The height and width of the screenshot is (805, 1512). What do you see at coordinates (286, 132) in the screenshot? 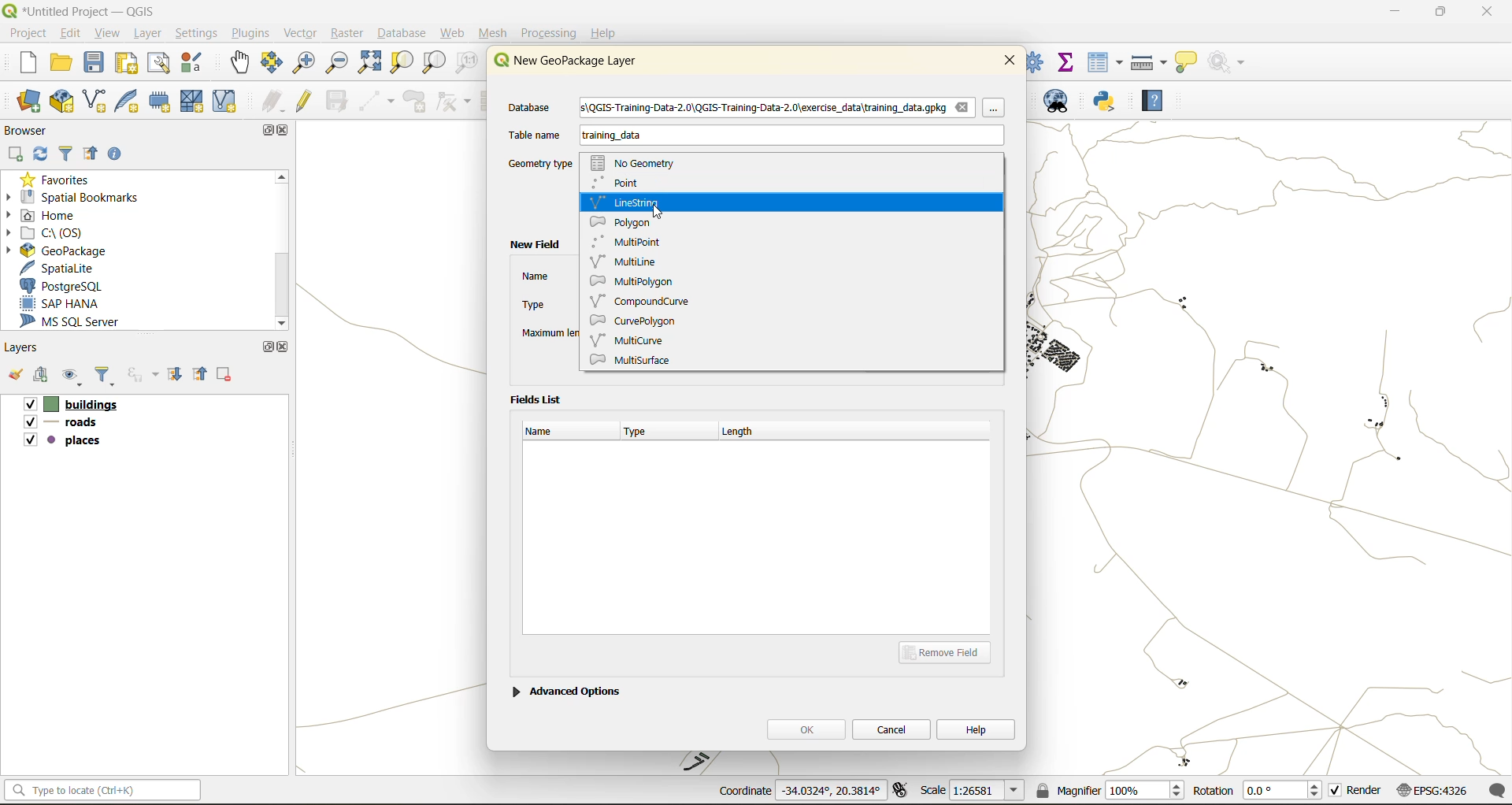
I see `close` at bounding box center [286, 132].